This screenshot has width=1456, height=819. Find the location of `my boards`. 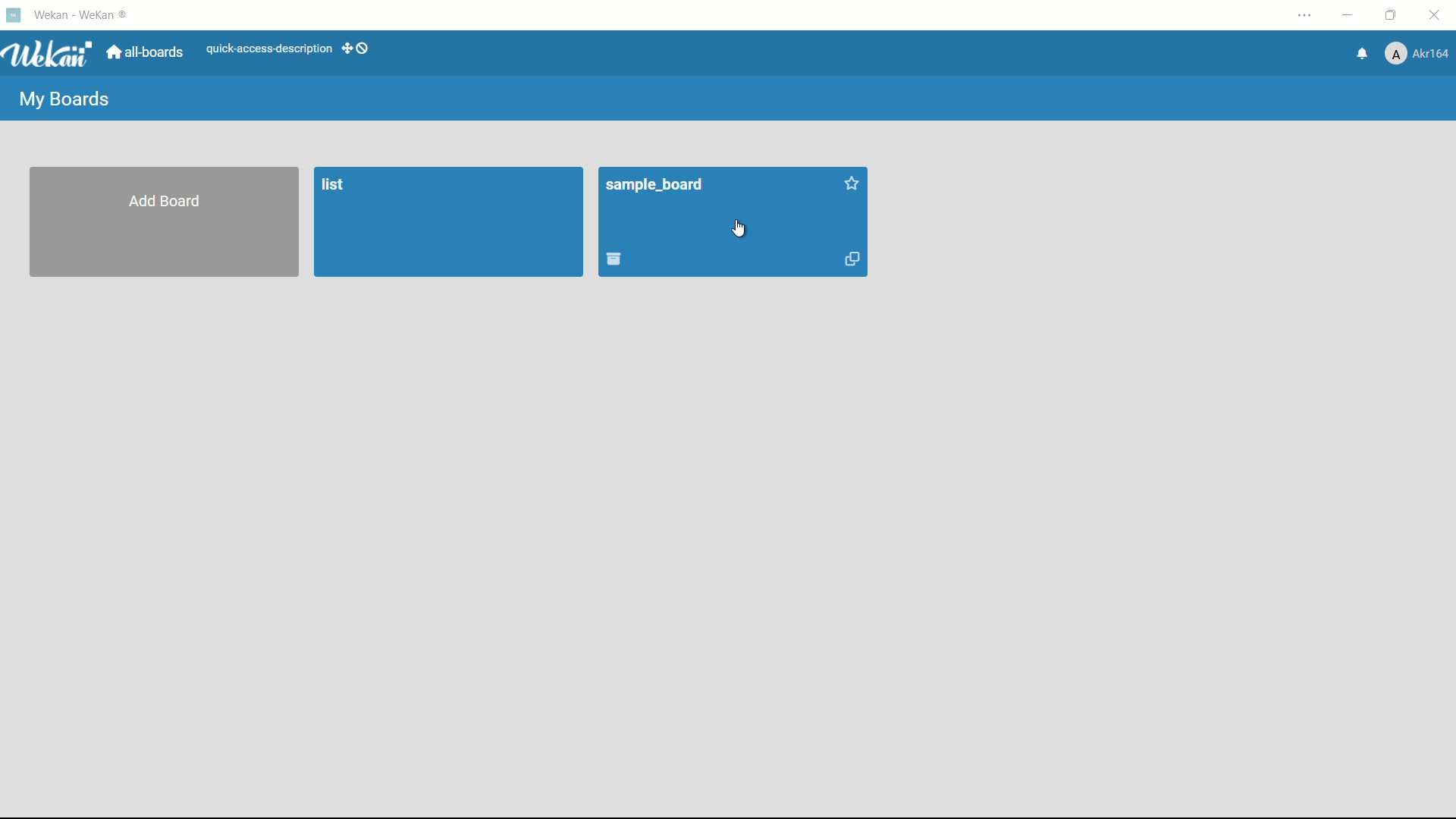

my boards is located at coordinates (66, 100).